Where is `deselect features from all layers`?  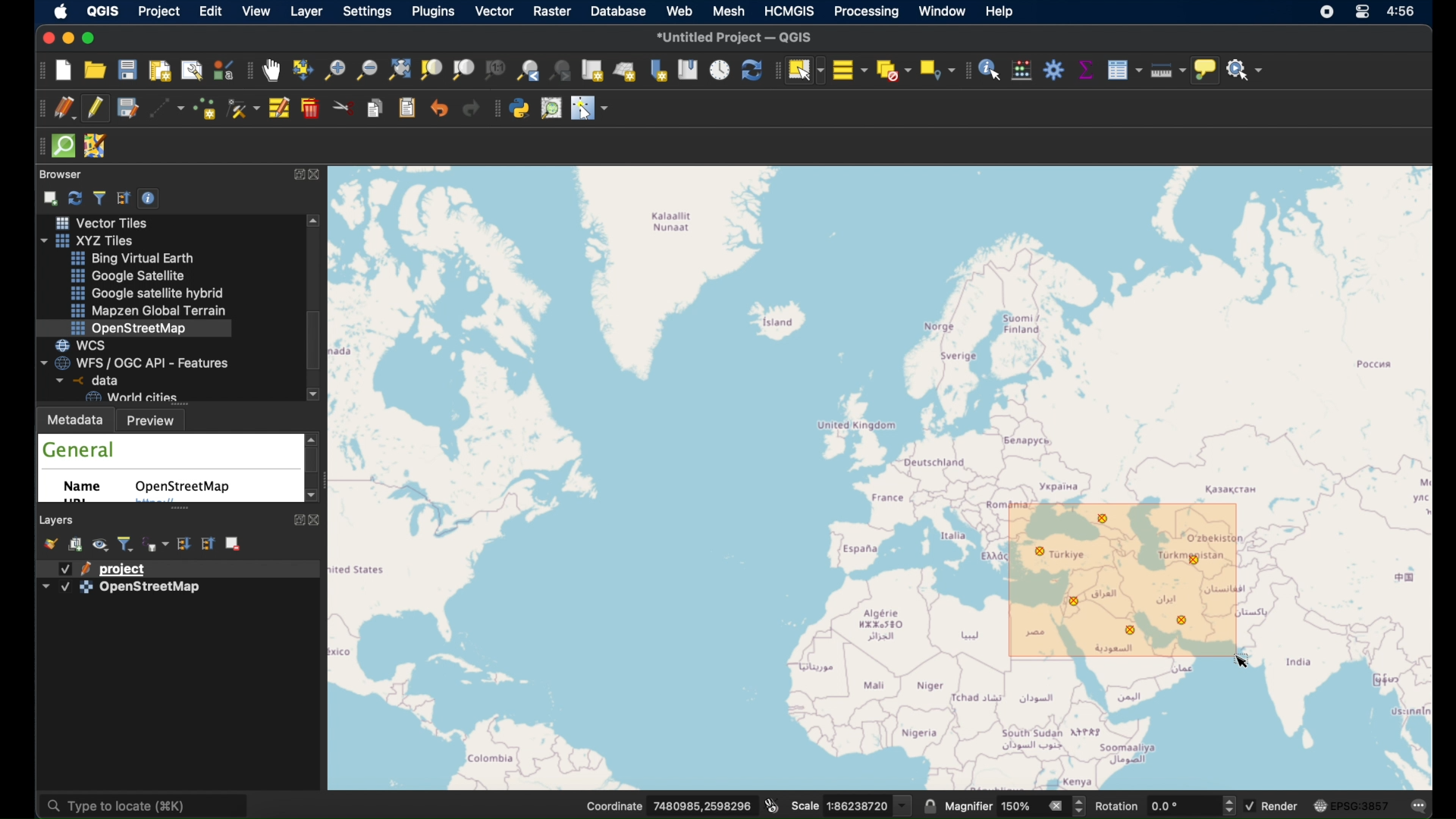
deselect features from all layers is located at coordinates (893, 71).